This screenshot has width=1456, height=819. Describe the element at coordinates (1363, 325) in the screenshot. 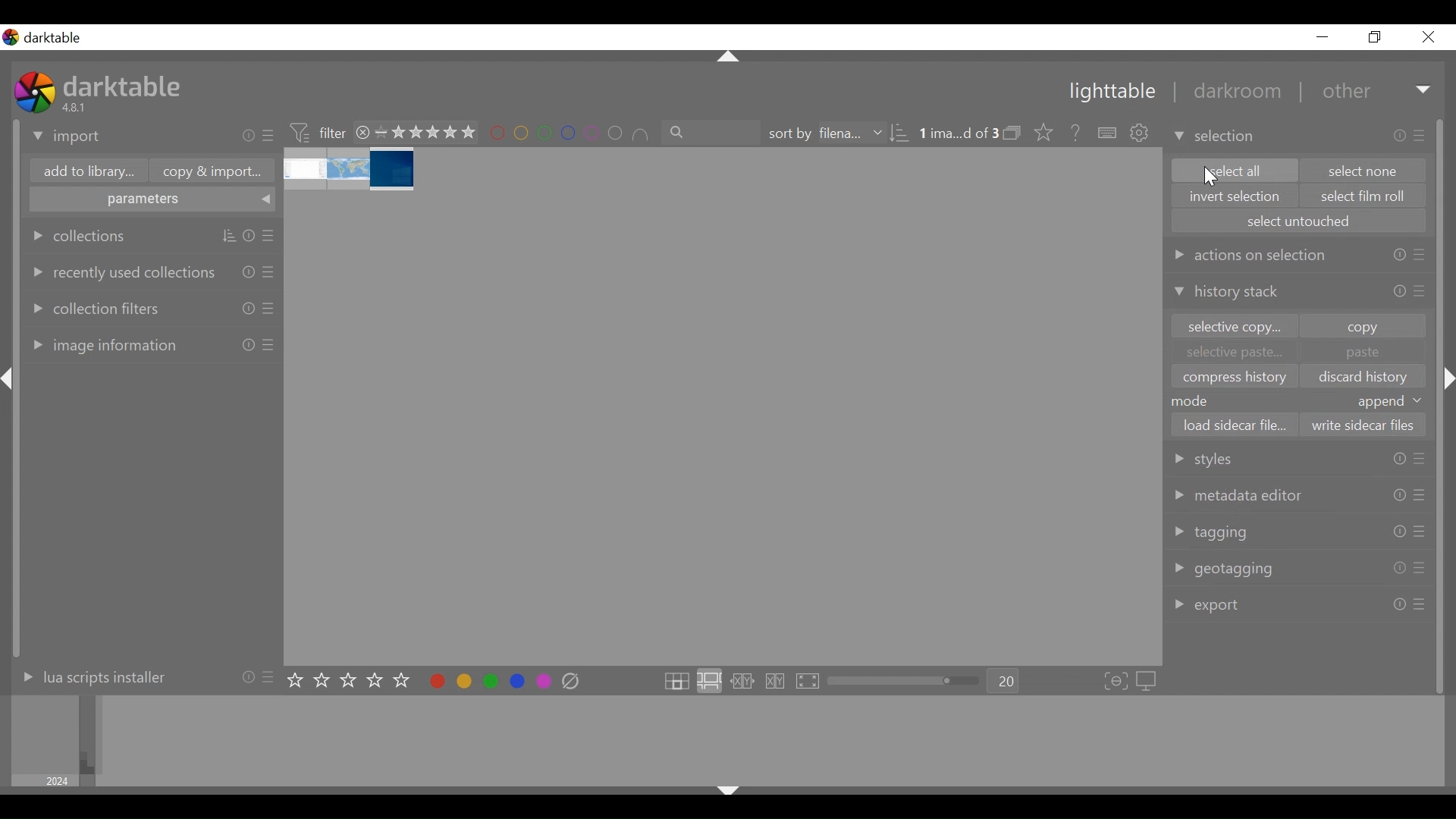

I see `copy` at that location.